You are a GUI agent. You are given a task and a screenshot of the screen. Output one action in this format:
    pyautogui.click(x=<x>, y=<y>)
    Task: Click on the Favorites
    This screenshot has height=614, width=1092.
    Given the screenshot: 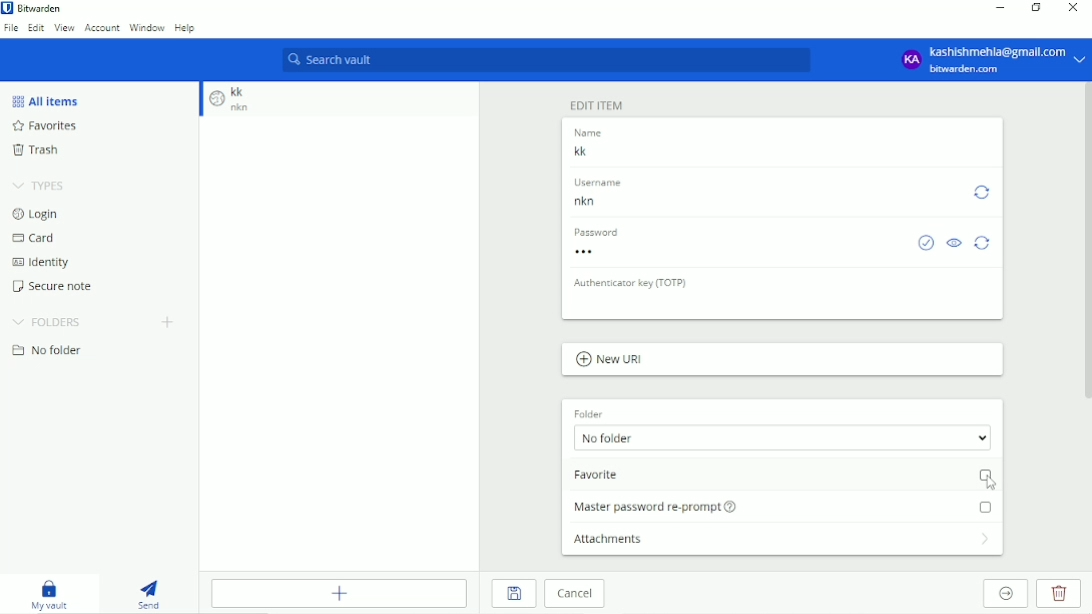 What is the action you would take?
    pyautogui.click(x=48, y=126)
    